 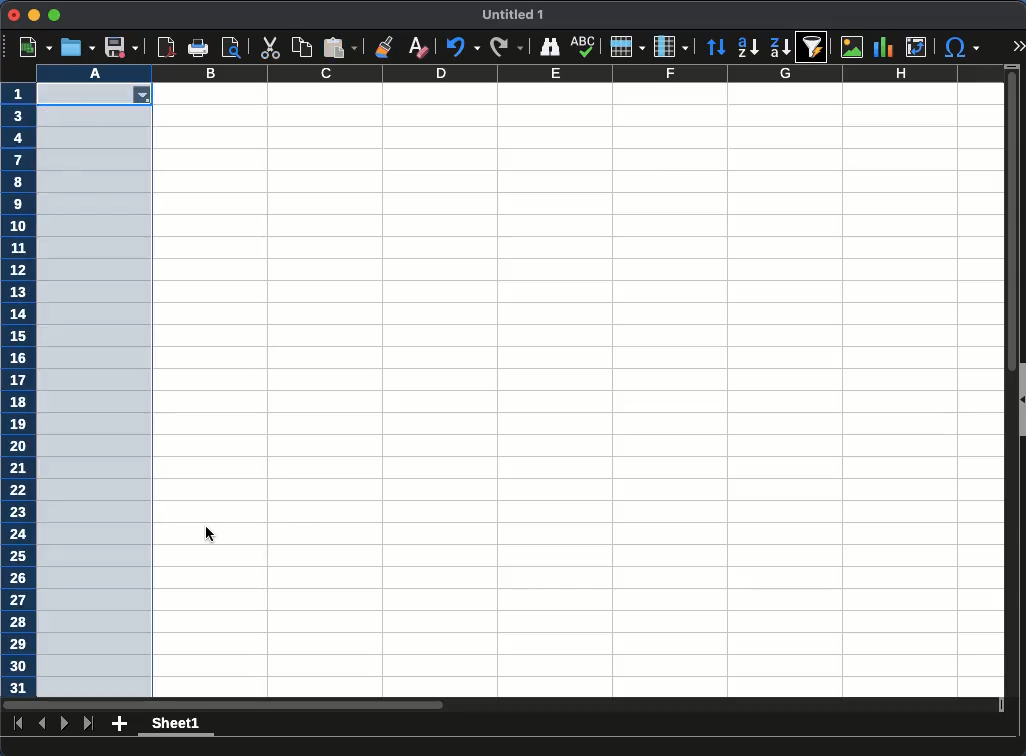 What do you see at coordinates (961, 49) in the screenshot?
I see `special character` at bounding box center [961, 49].